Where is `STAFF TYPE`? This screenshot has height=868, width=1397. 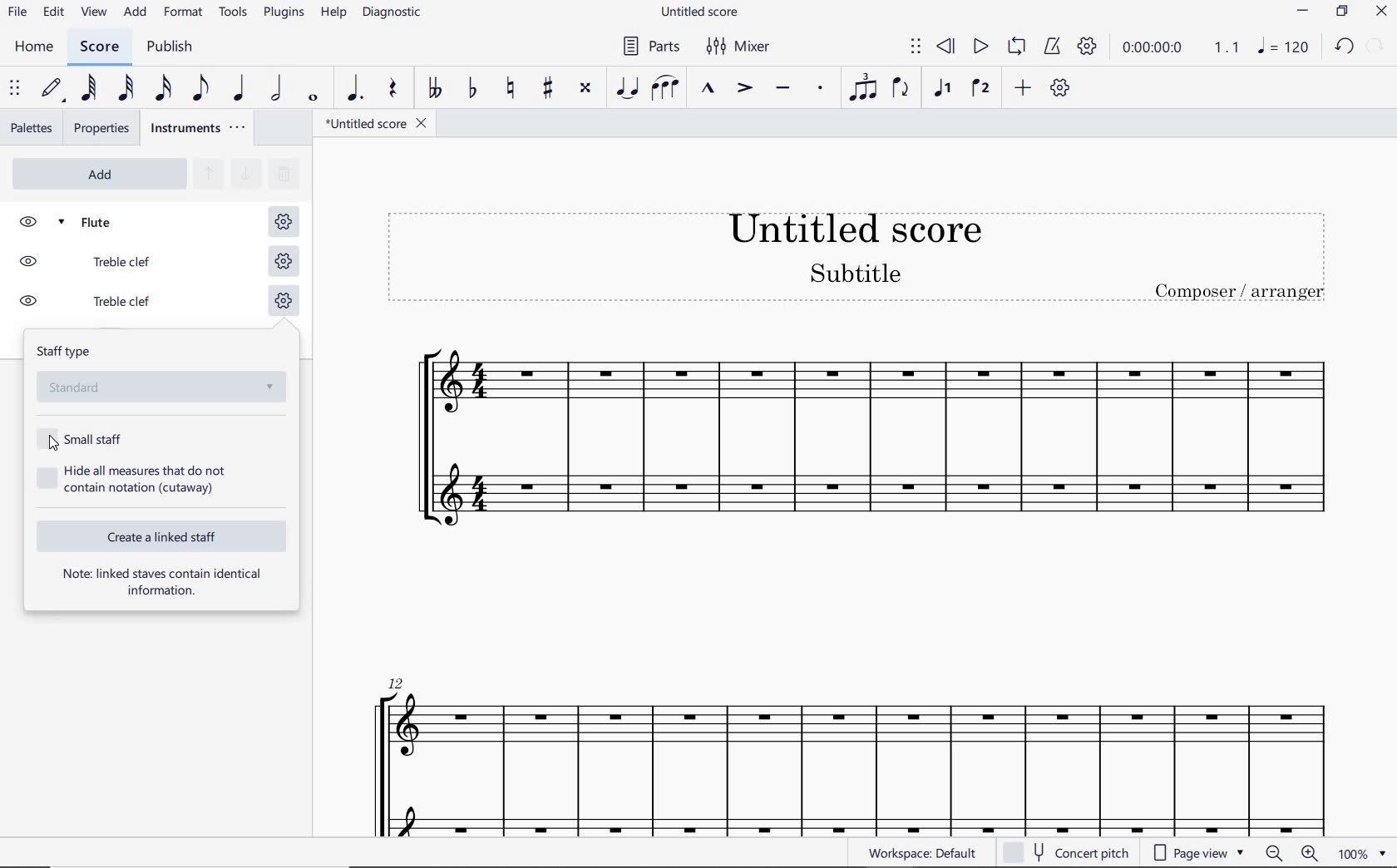 STAFF TYPE is located at coordinates (164, 375).